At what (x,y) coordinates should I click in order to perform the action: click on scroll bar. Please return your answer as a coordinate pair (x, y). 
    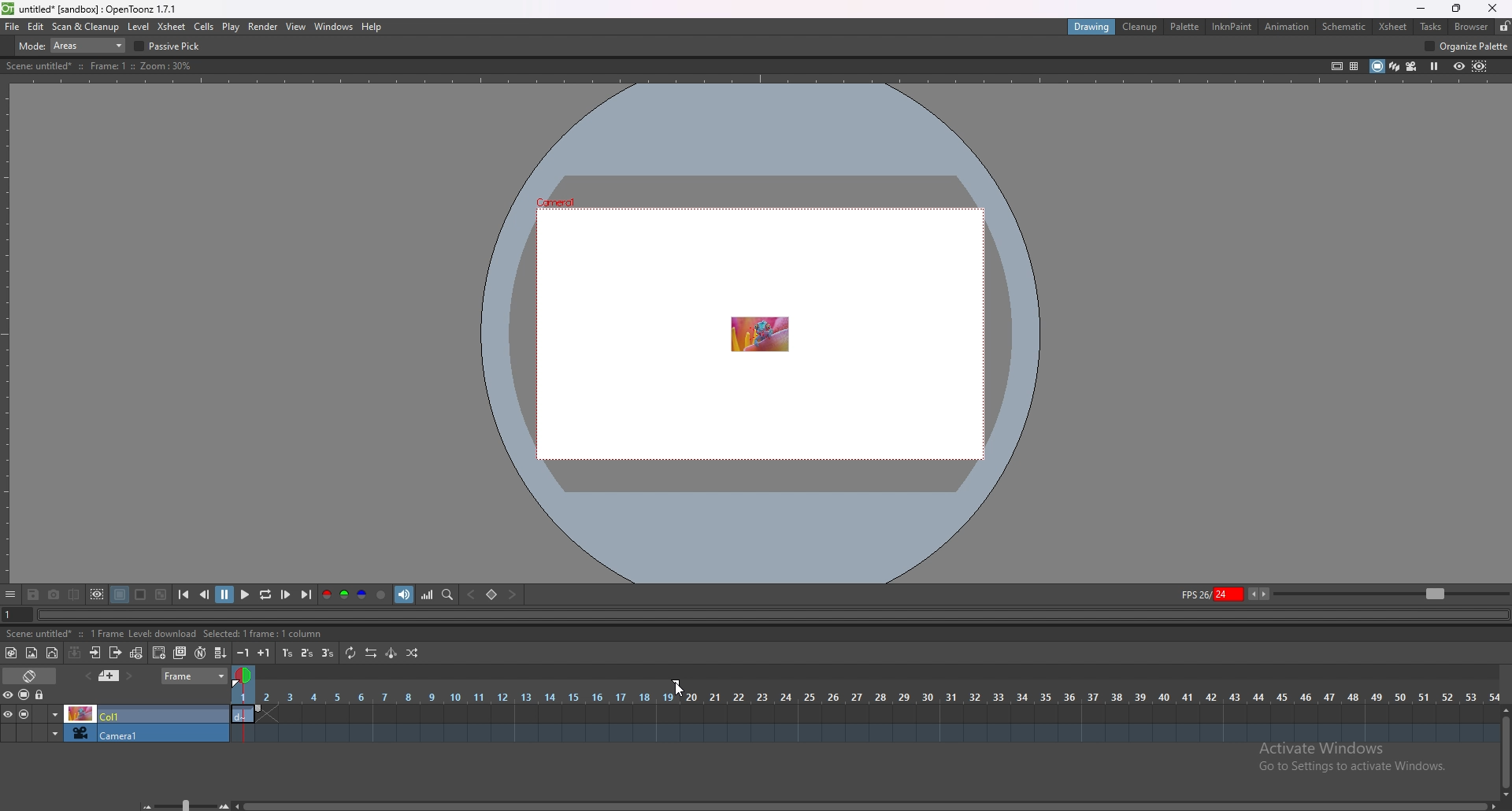
    Looking at the image, I should click on (1504, 751).